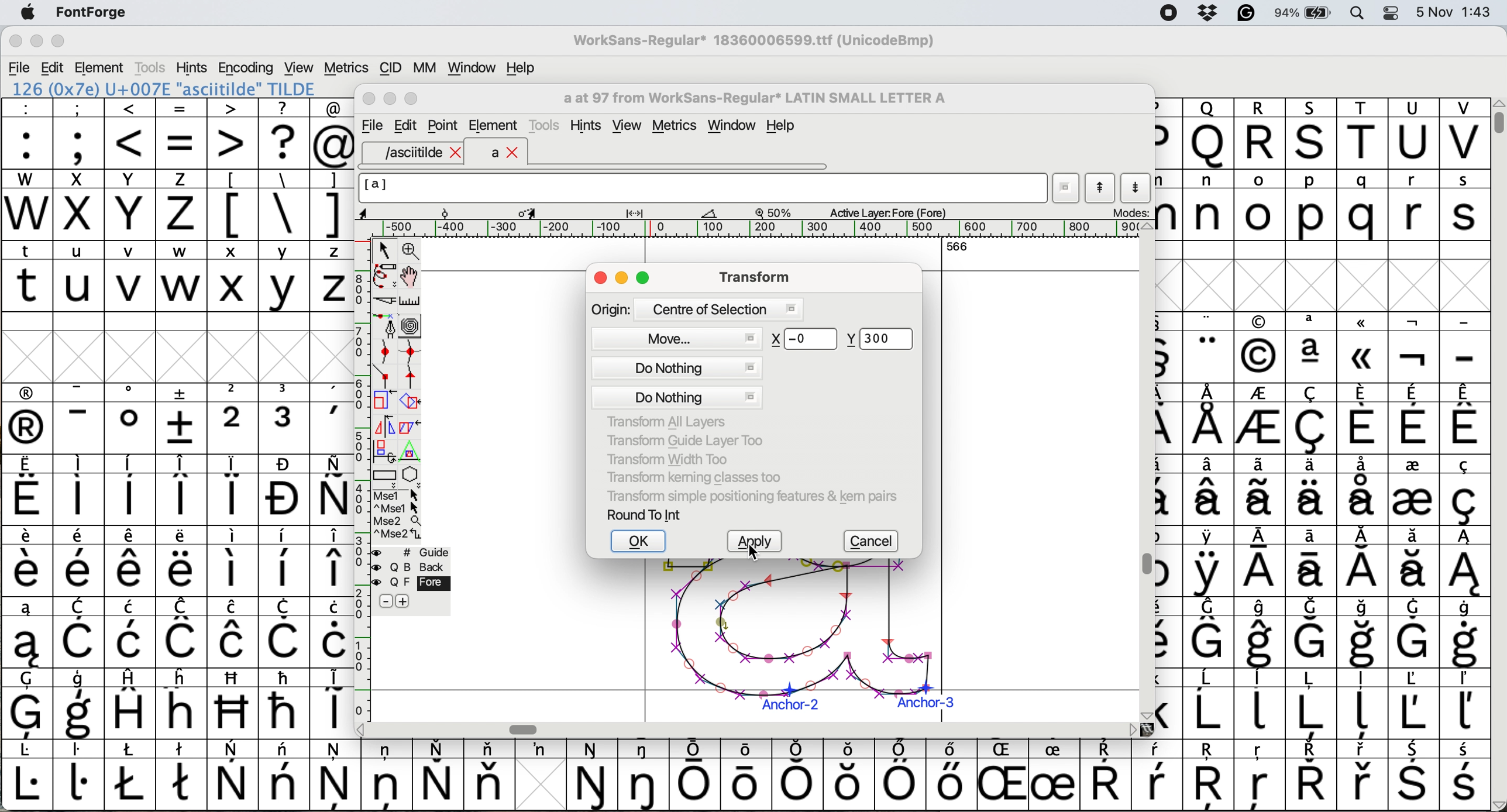  Describe the element at coordinates (886, 212) in the screenshot. I see `active layer` at that location.